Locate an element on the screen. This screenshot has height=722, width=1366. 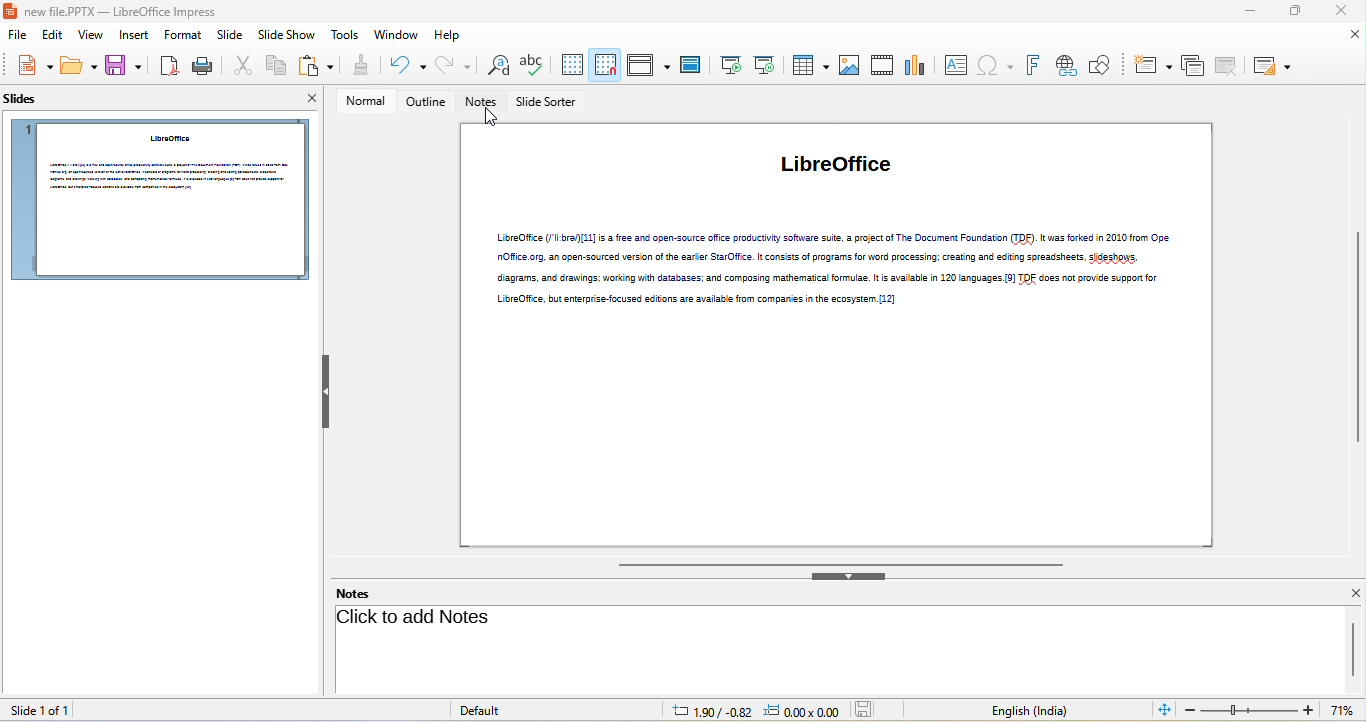
help is located at coordinates (449, 36).